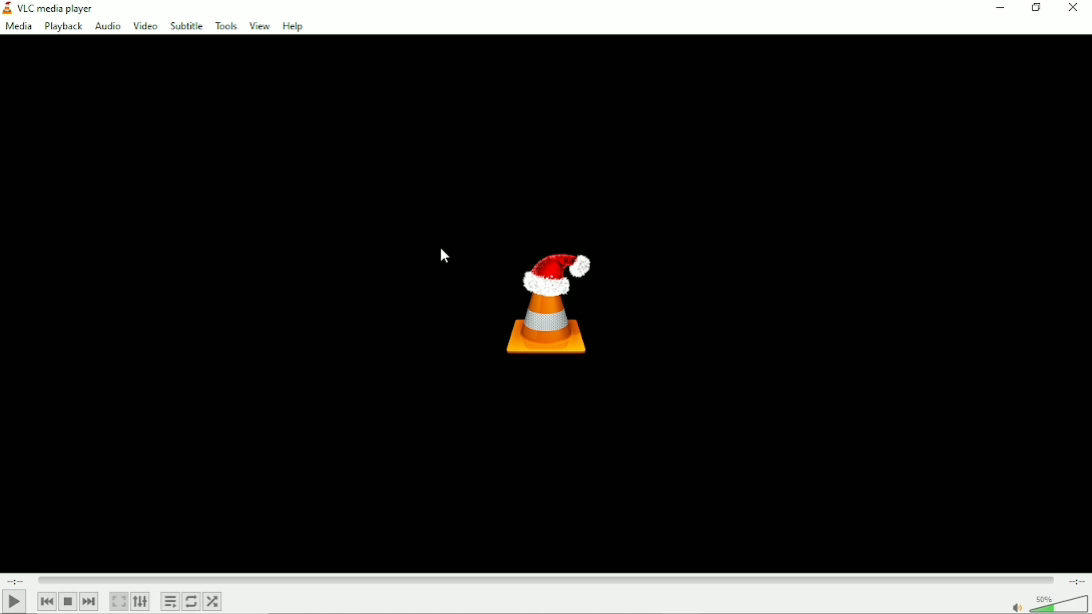  I want to click on Toggle playlist, so click(169, 601).